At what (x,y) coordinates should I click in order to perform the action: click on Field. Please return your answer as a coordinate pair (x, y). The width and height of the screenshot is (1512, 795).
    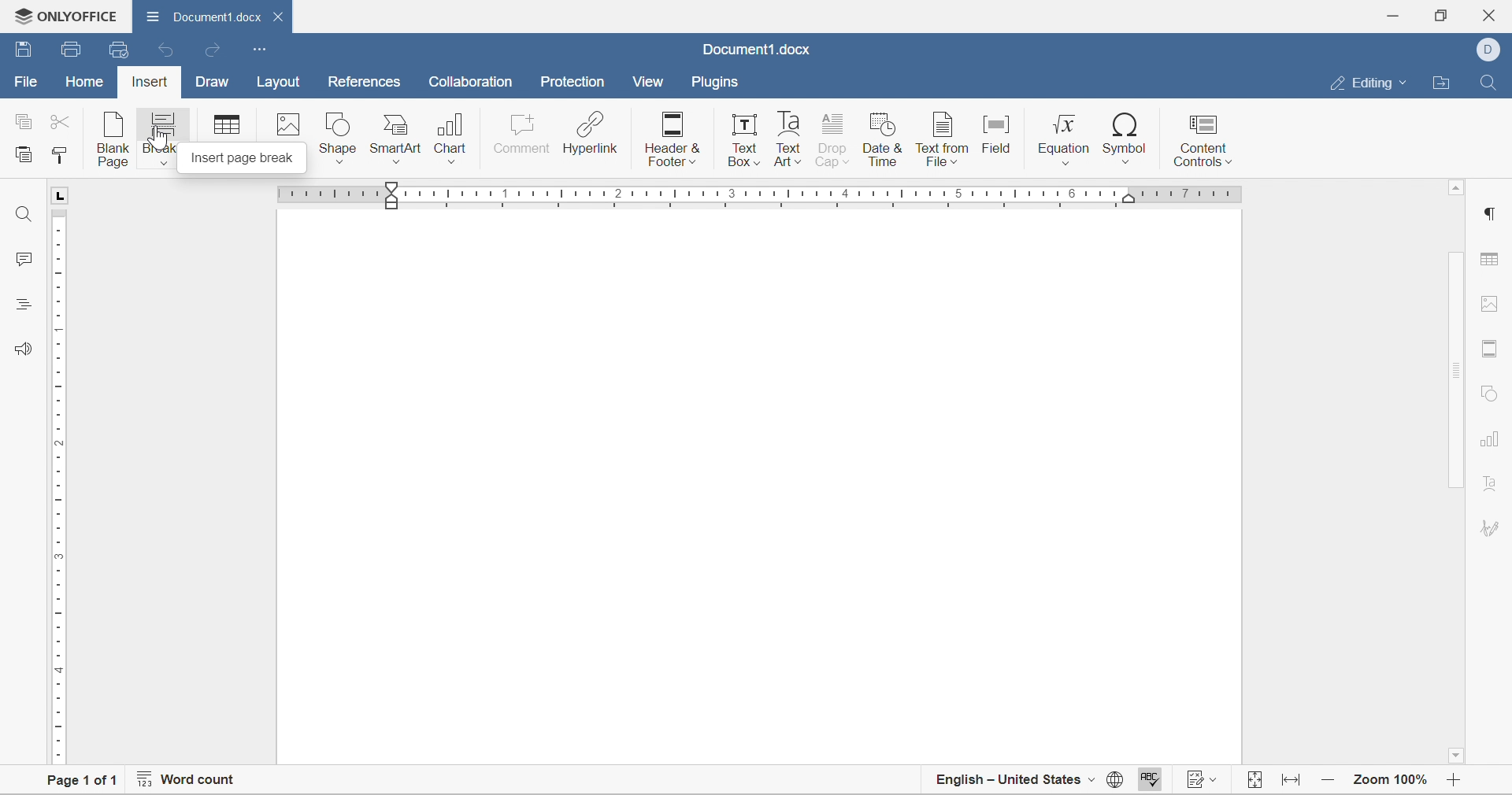
    Looking at the image, I should click on (999, 139).